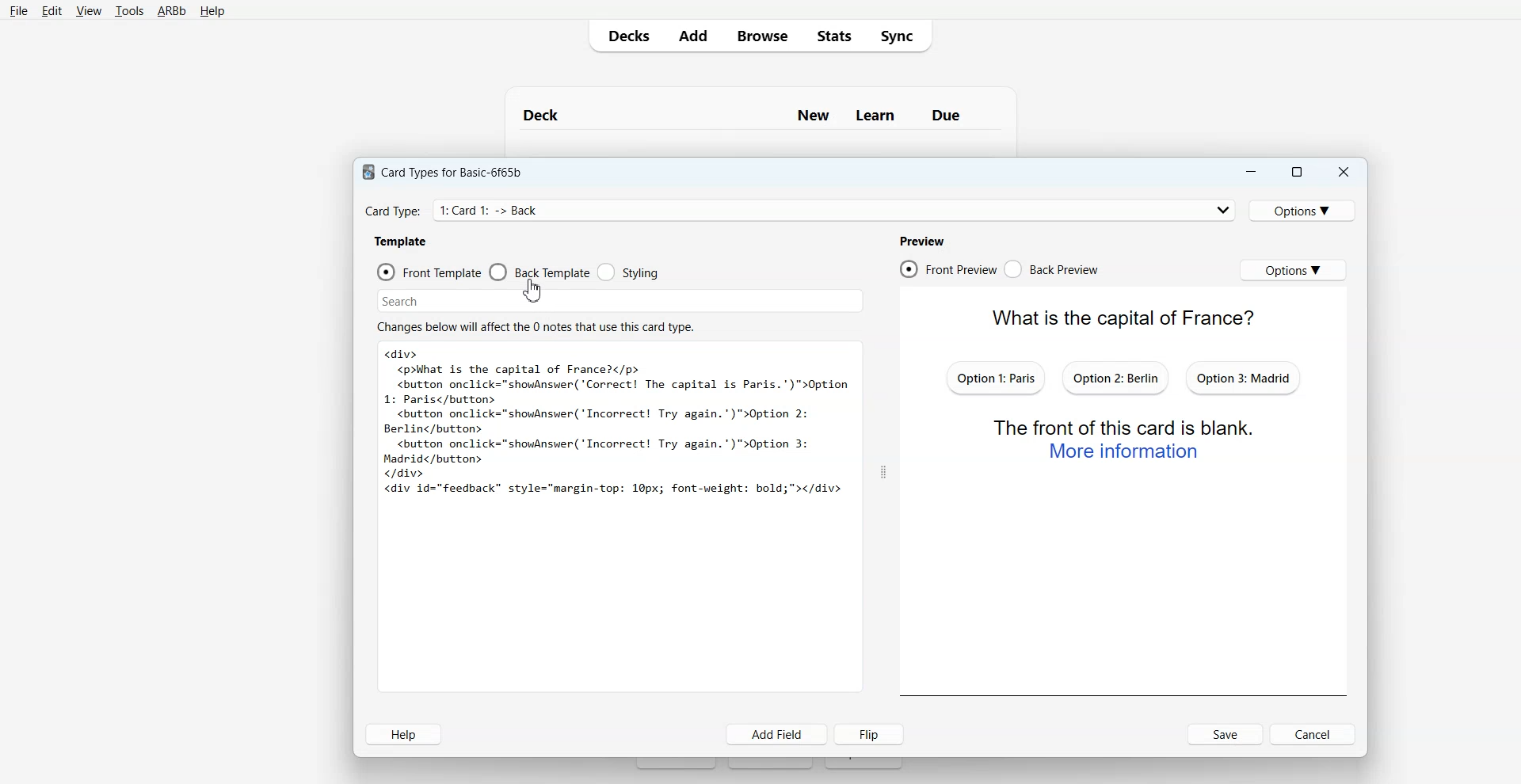 The height and width of the screenshot is (784, 1521). Describe the element at coordinates (19, 11) in the screenshot. I see `File` at that location.